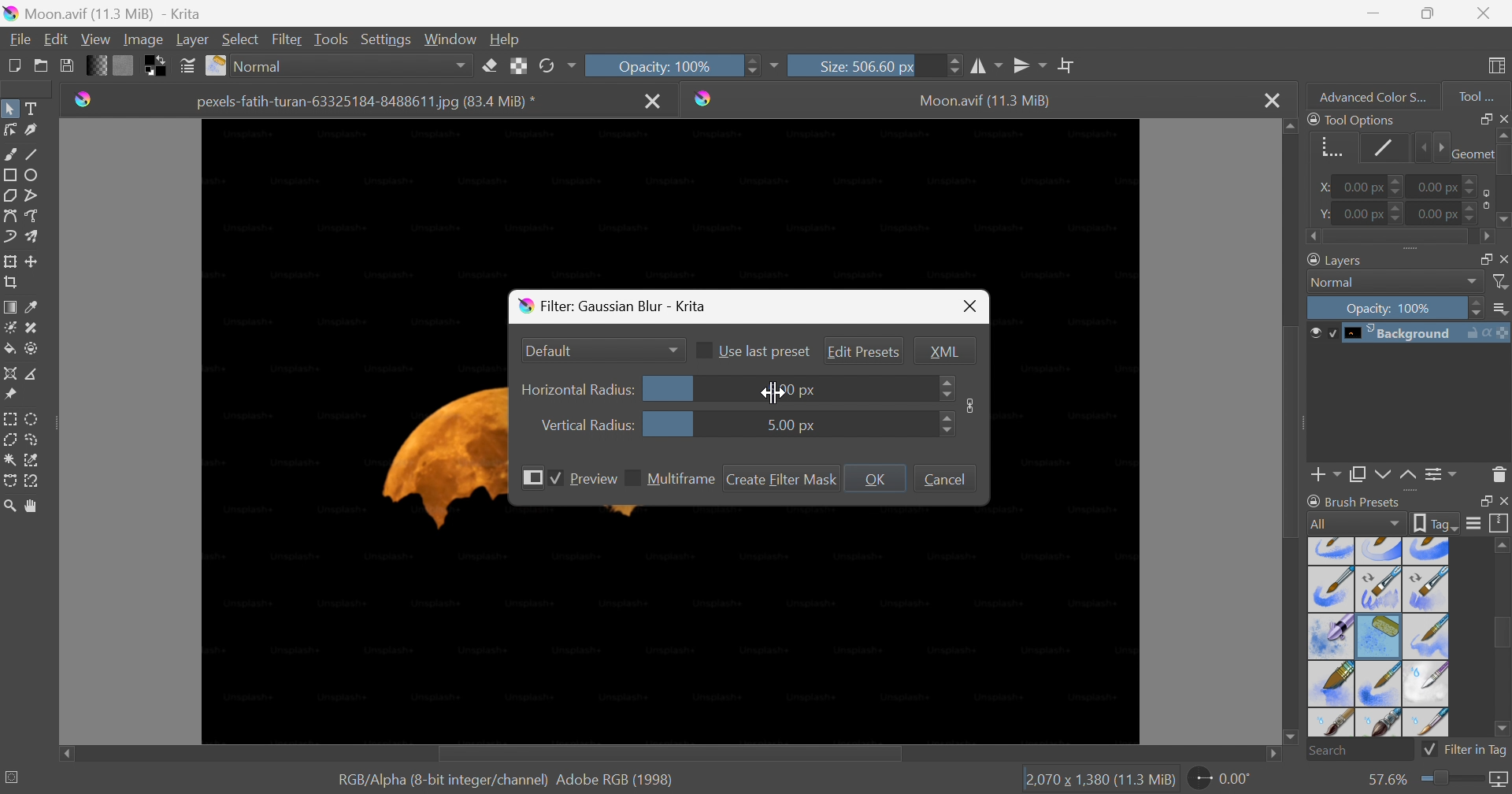 Image resolution: width=1512 pixels, height=794 pixels. What do you see at coordinates (1379, 95) in the screenshot?
I see `Advanced color` at bounding box center [1379, 95].